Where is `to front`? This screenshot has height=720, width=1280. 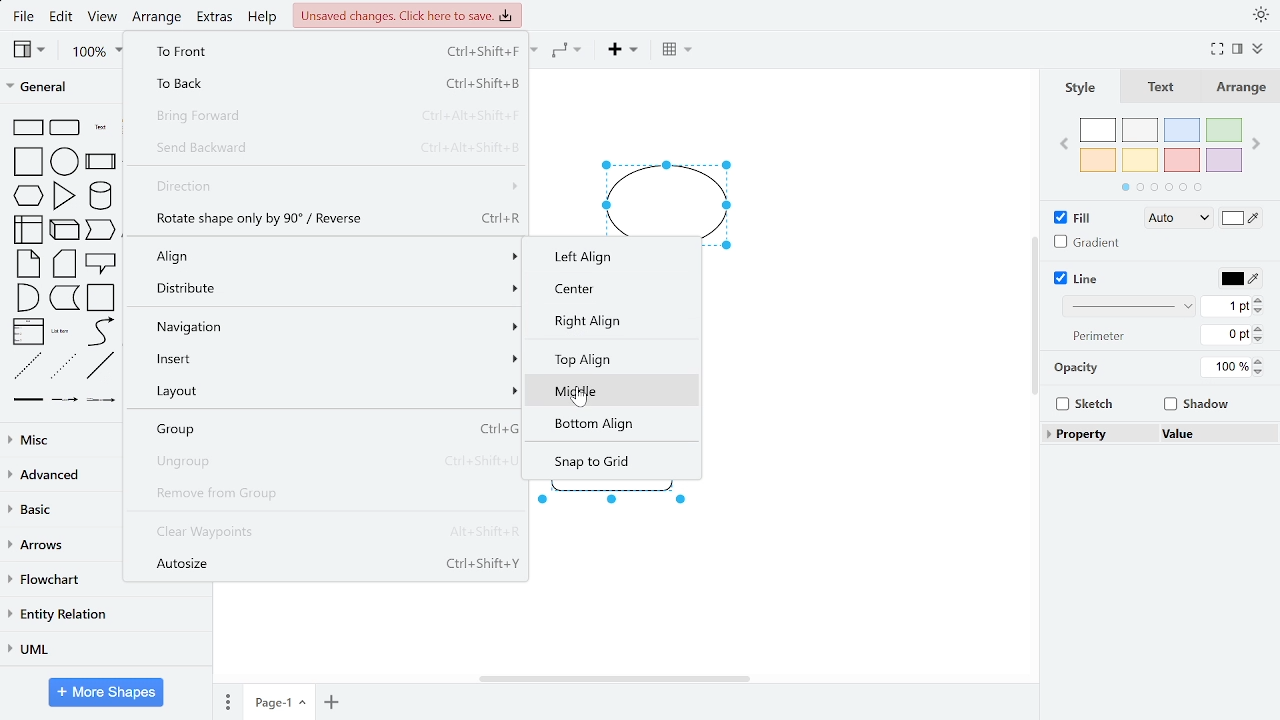 to front is located at coordinates (329, 50).